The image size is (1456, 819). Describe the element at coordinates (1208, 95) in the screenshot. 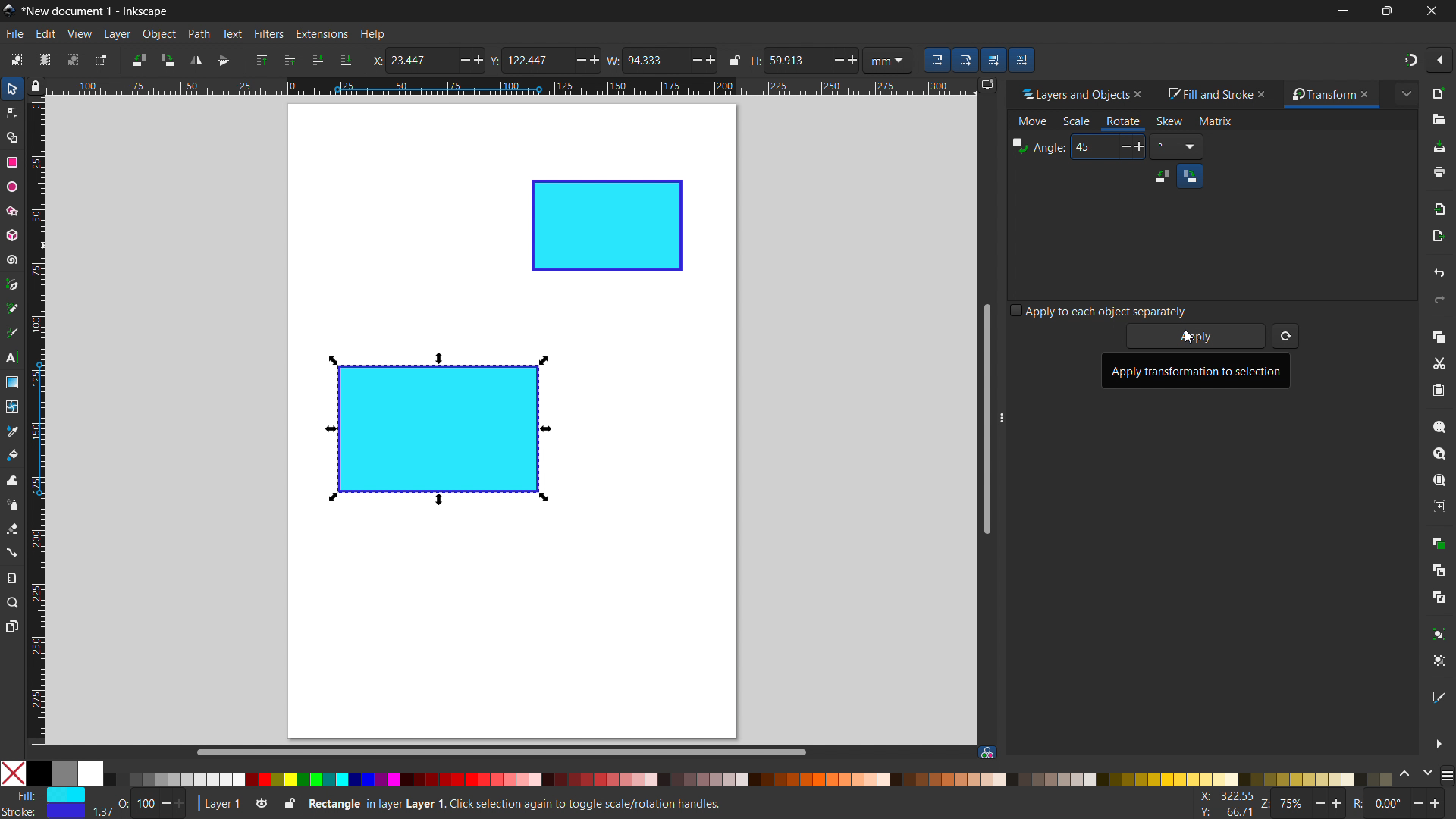

I see `fill and stroke` at that location.